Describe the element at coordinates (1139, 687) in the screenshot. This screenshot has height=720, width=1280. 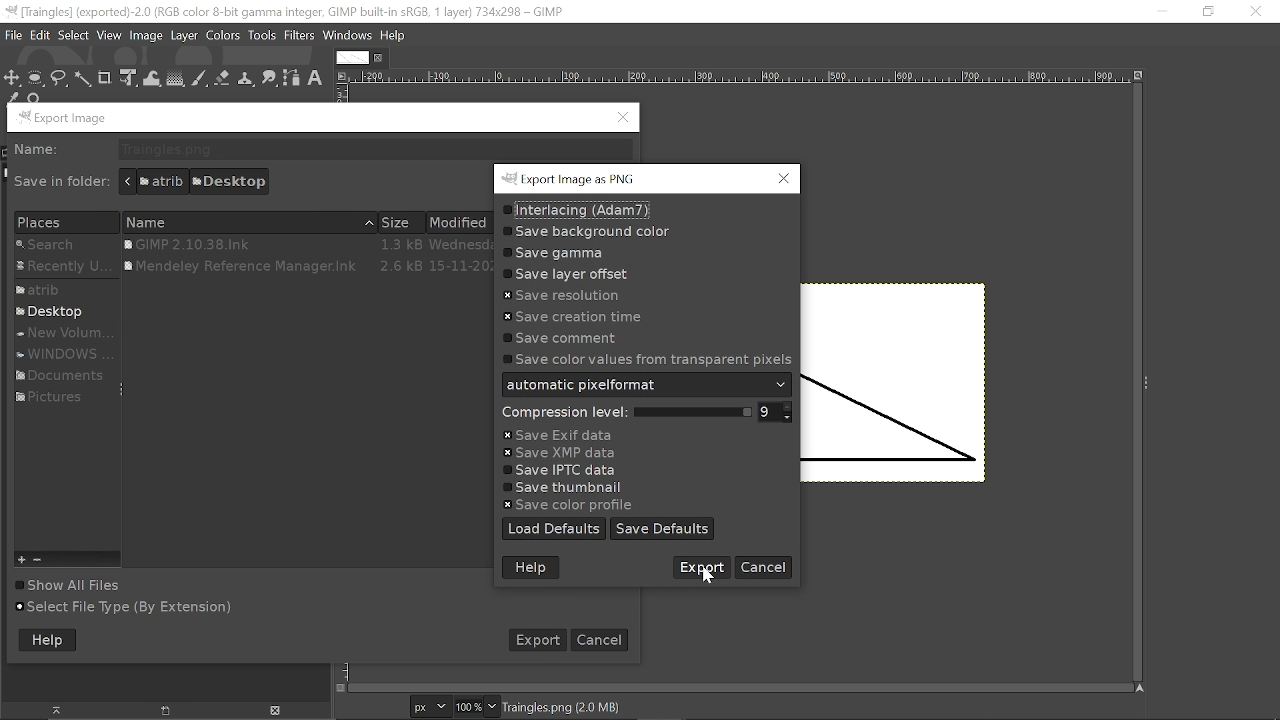
I see `Navigate image display` at that location.